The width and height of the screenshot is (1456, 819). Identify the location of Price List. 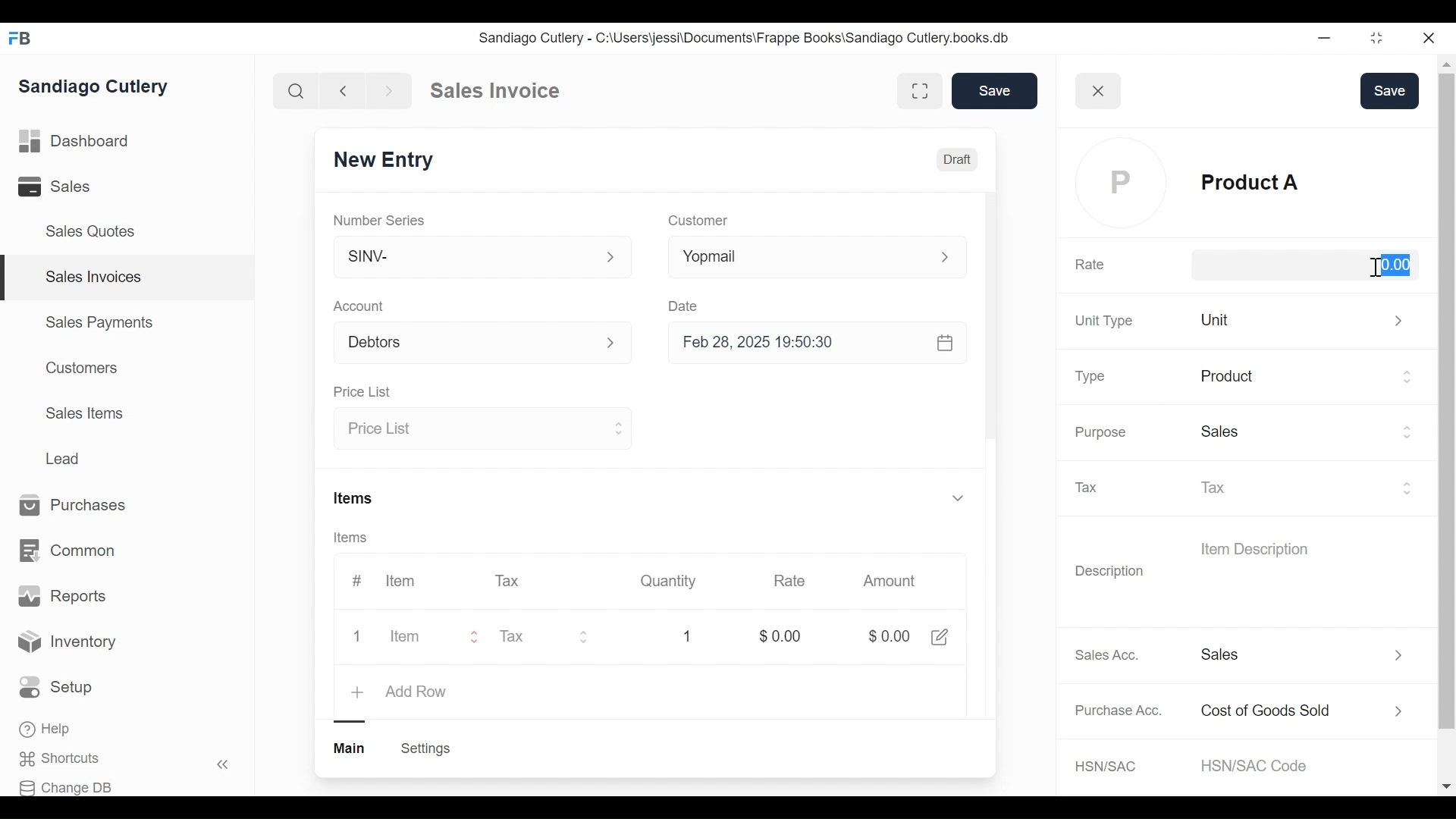
(362, 391).